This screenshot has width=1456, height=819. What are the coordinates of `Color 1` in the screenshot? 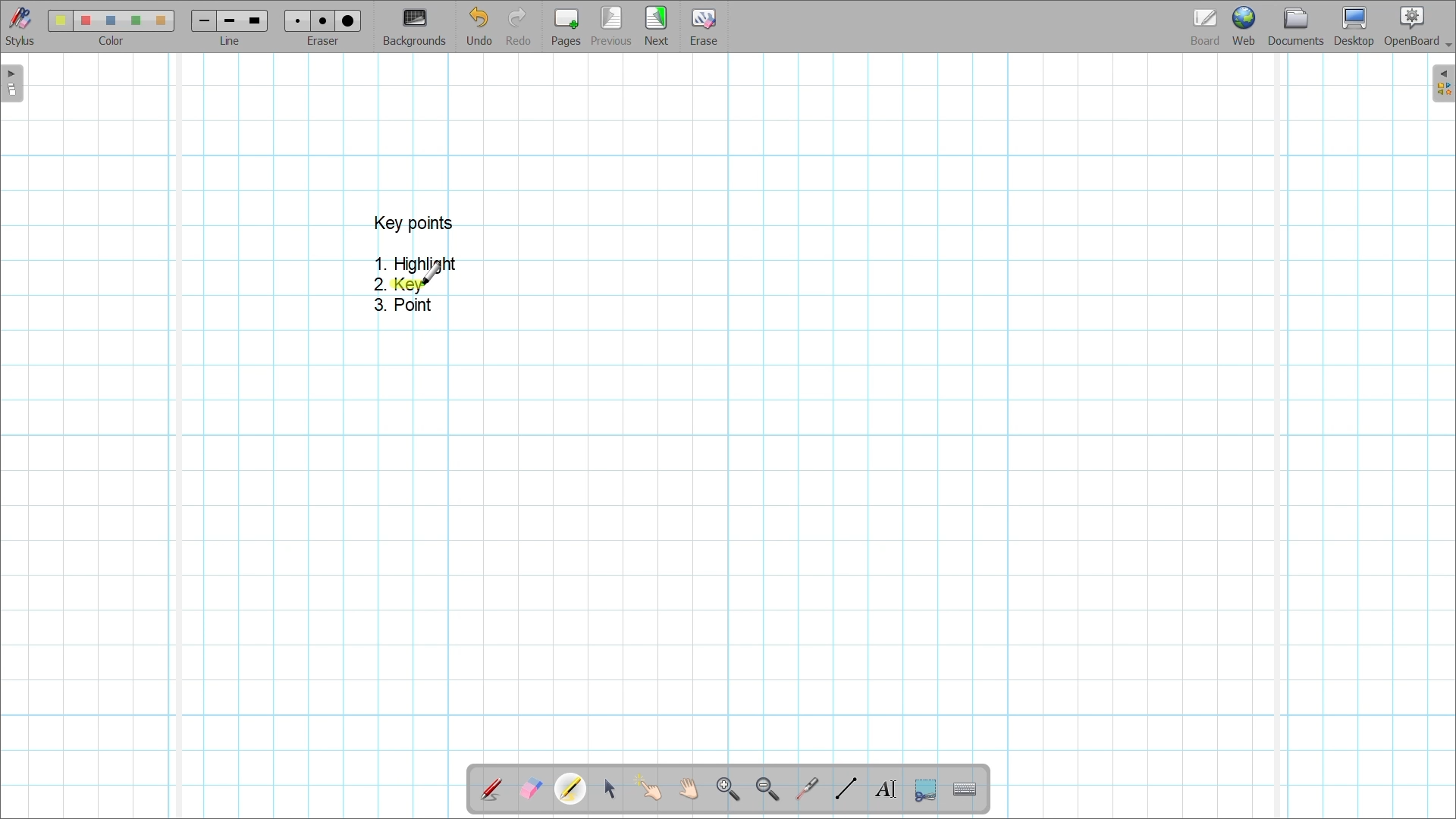 It's located at (60, 20).